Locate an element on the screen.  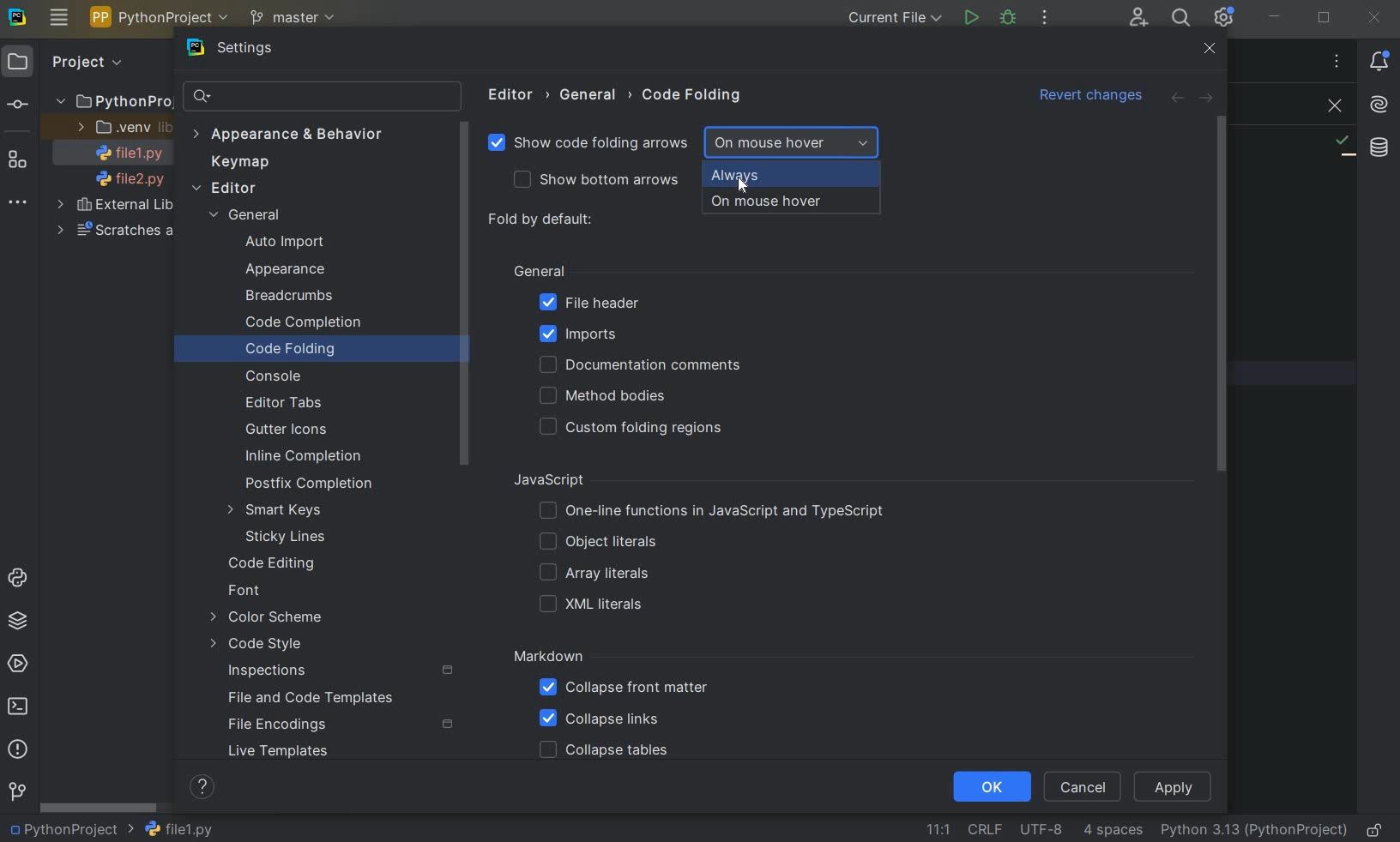
EDITOR is located at coordinates (226, 189).